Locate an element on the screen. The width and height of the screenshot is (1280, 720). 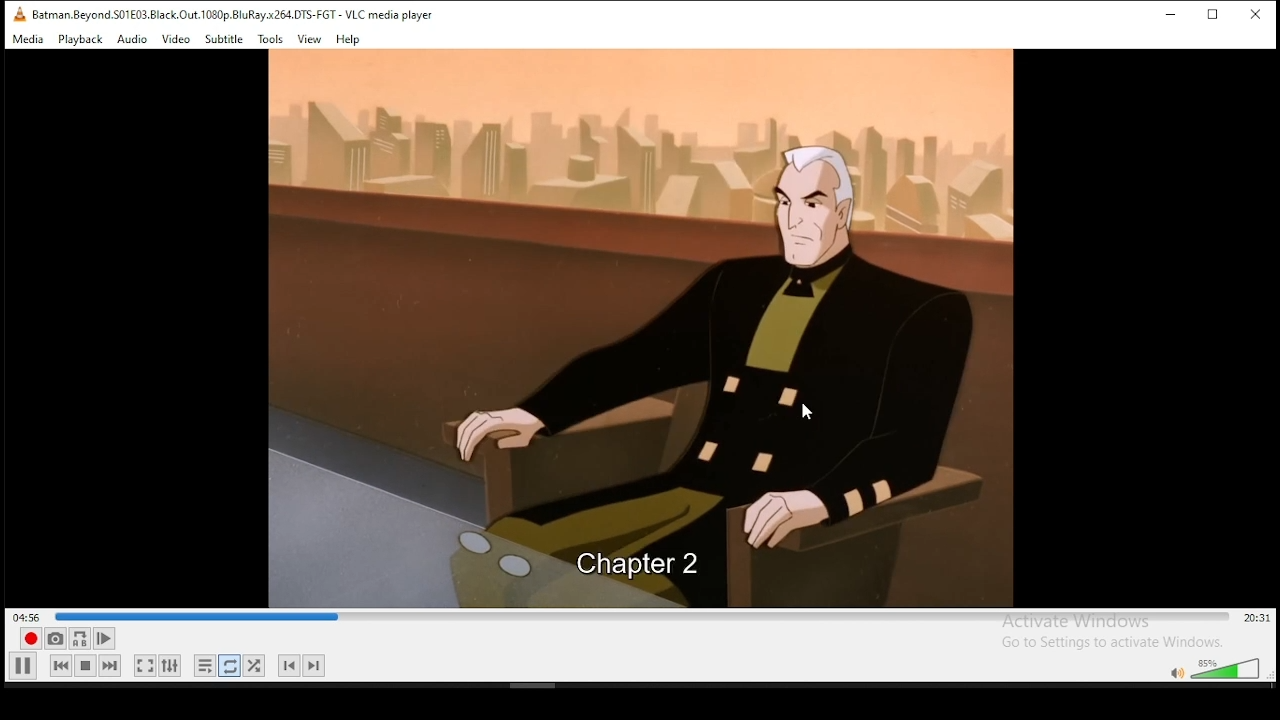
Help is located at coordinates (349, 41).